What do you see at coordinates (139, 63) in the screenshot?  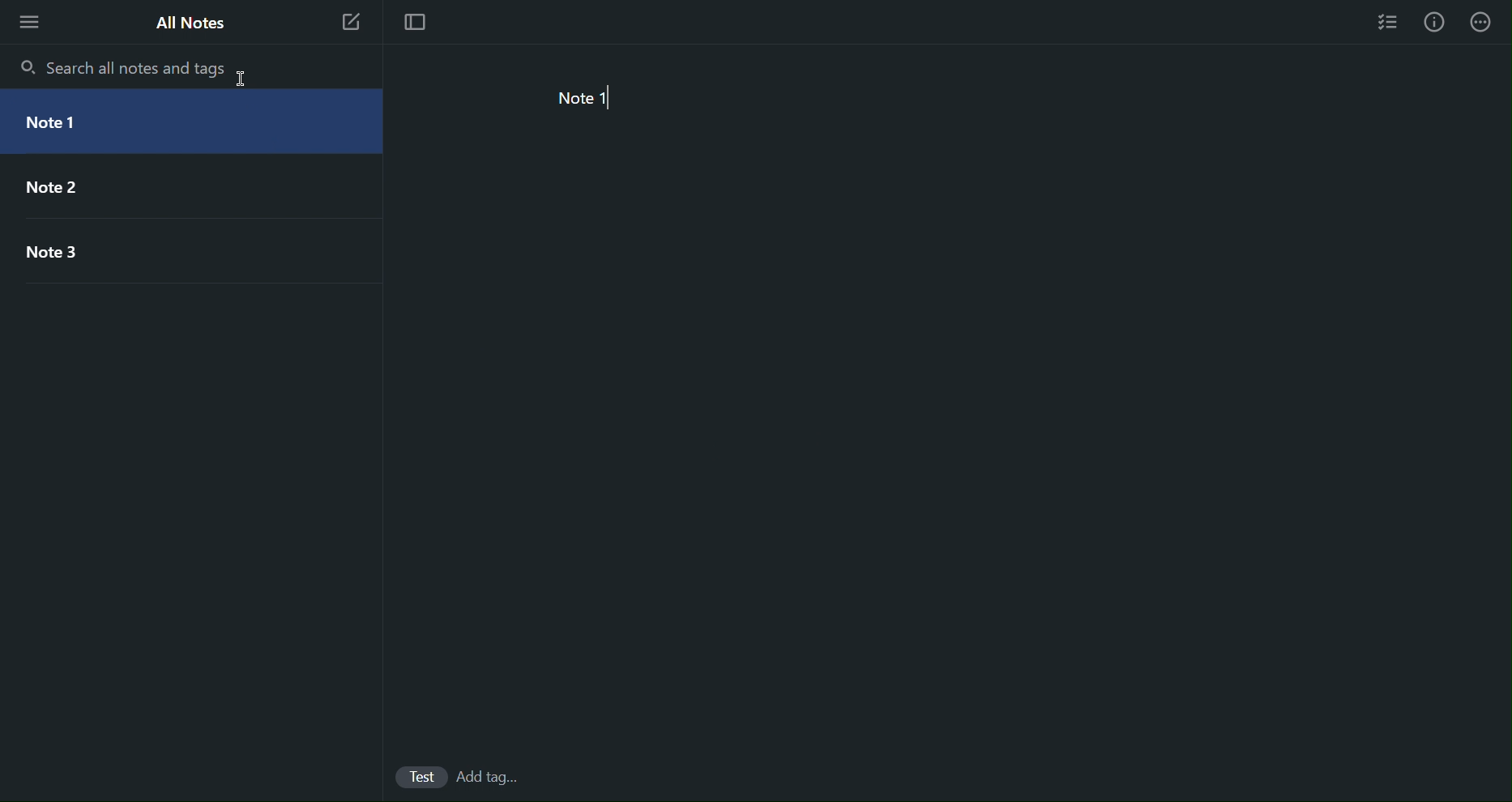 I see `Search all notes and tags` at bounding box center [139, 63].